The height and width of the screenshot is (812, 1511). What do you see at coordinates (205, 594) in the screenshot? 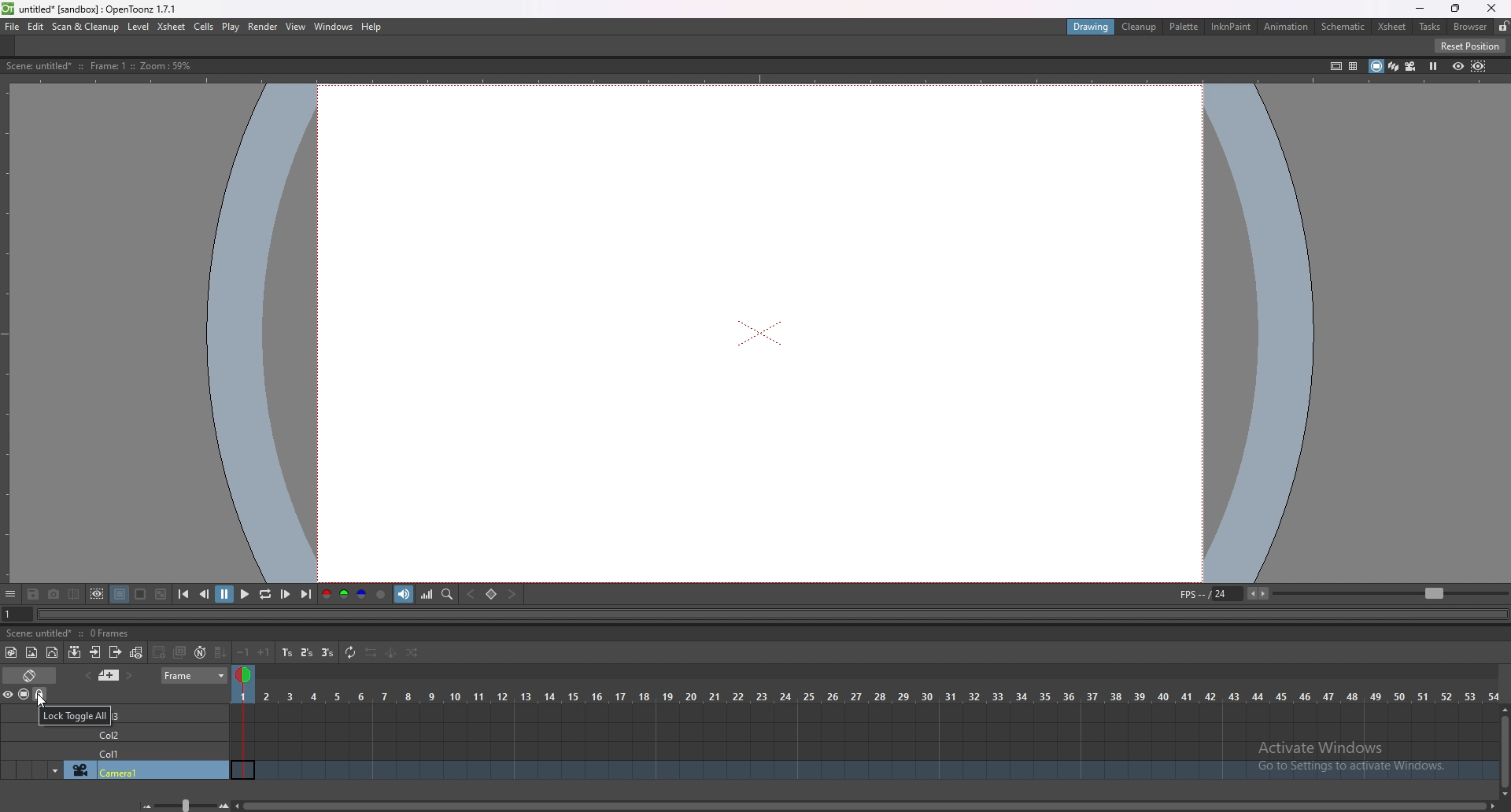
I see `previous frame` at bounding box center [205, 594].